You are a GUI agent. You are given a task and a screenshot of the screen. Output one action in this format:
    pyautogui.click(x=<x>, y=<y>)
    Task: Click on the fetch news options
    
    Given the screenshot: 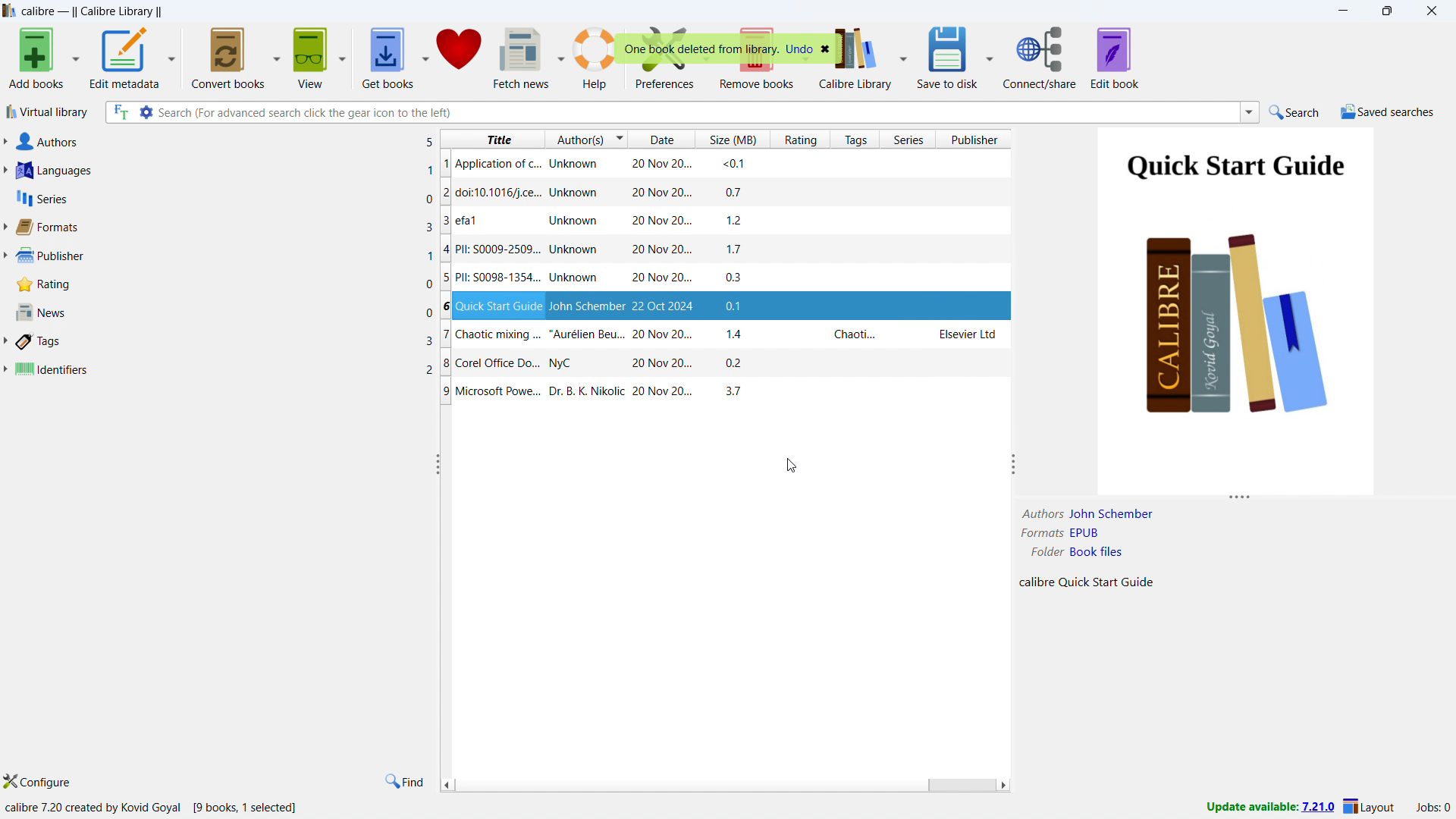 What is the action you would take?
    pyautogui.click(x=560, y=55)
    